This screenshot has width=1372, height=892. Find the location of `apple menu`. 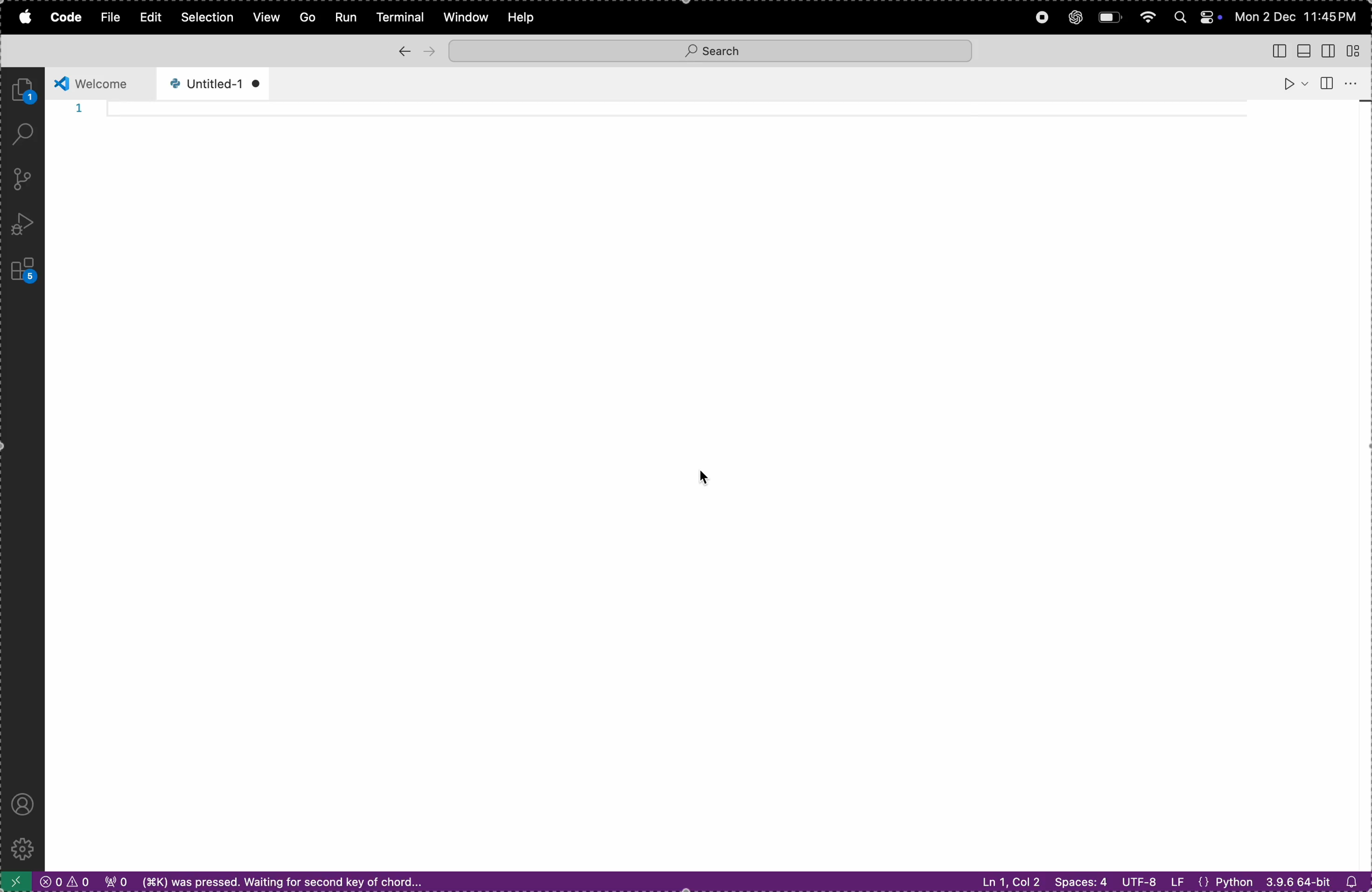

apple menu is located at coordinates (22, 19).